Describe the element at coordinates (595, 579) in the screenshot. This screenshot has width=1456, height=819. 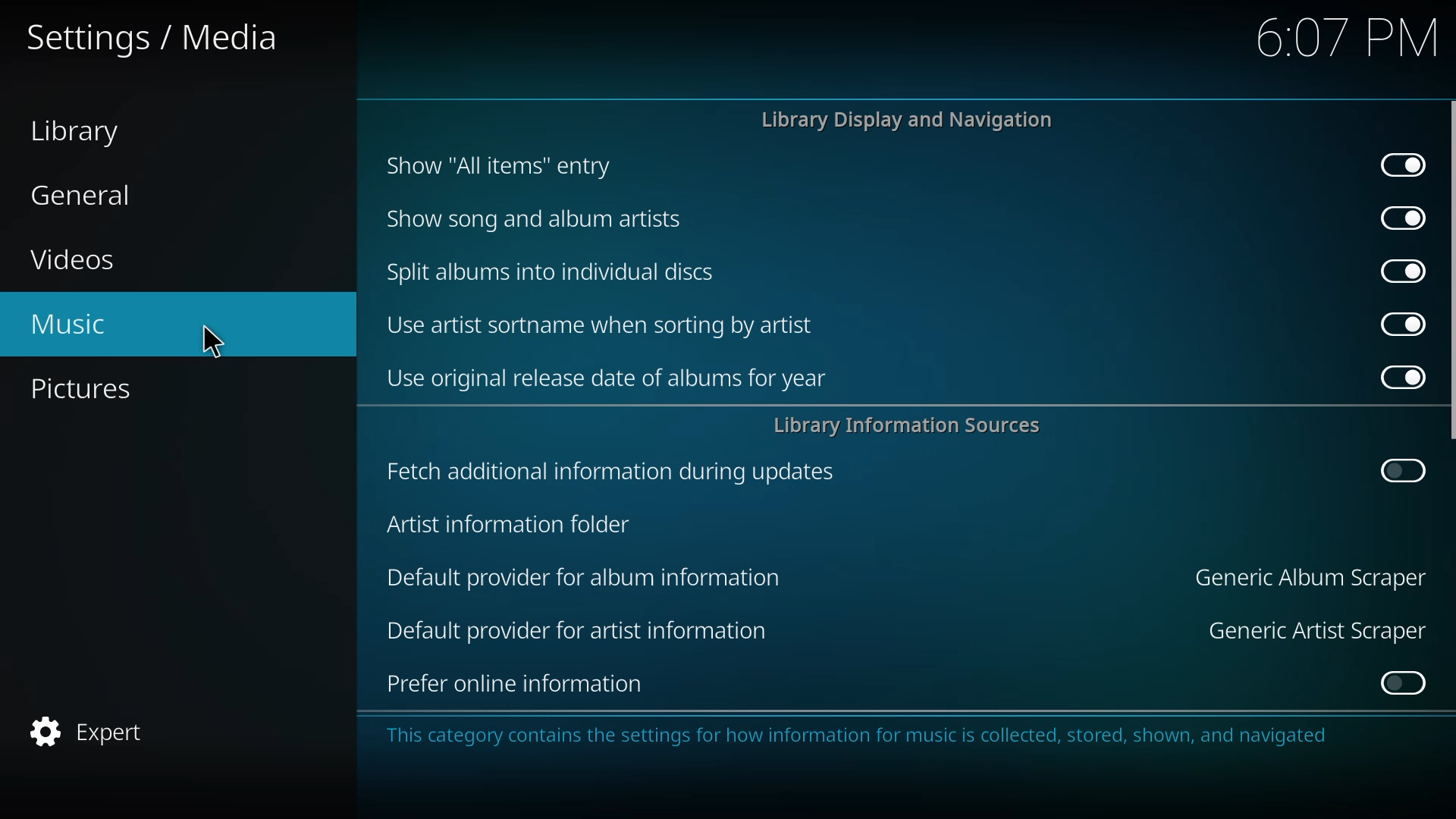
I see `default provider for album information` at that location.